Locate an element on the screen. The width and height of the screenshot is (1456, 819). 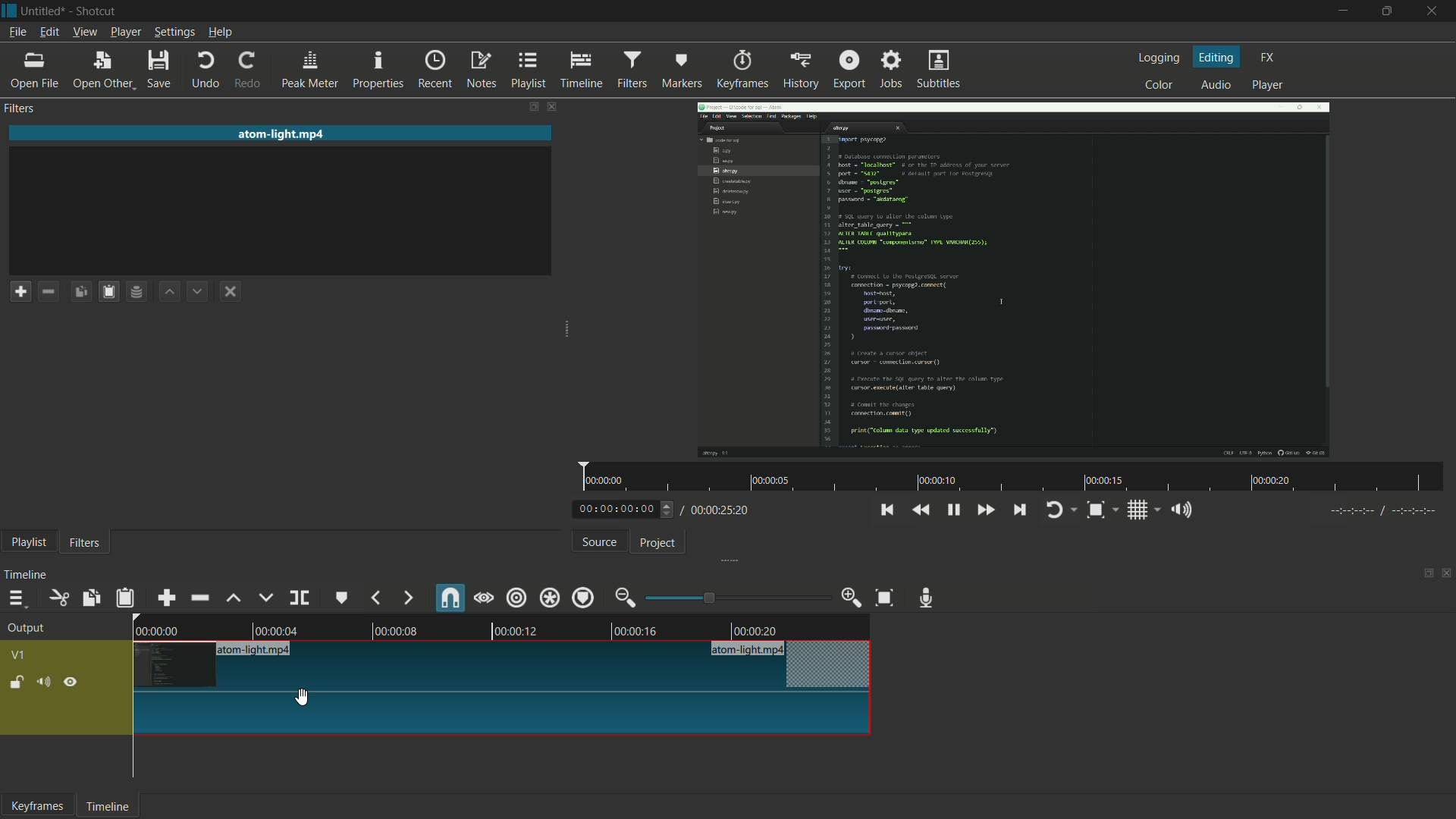
timeline is located at coordinates (108, 808).